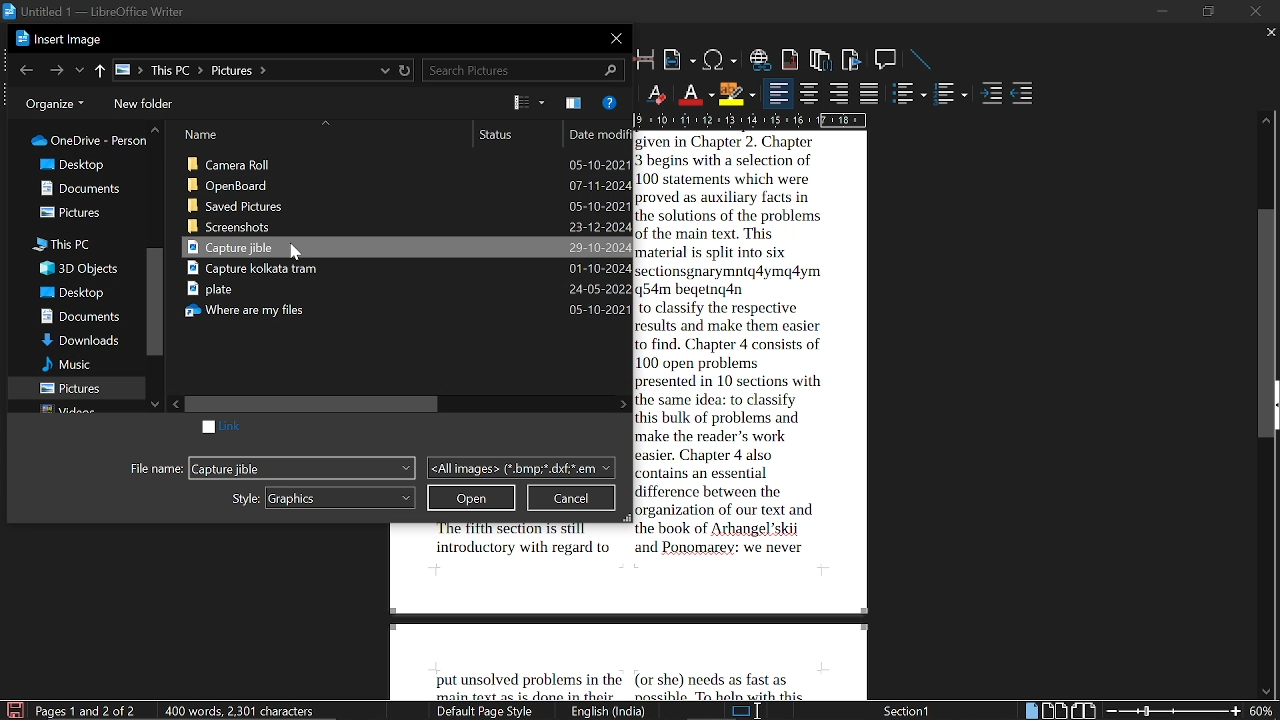  What do you see at coordinates (951, 95) in the screenshot?
I see `toggle ordered list` at bounding box center [951, 95].